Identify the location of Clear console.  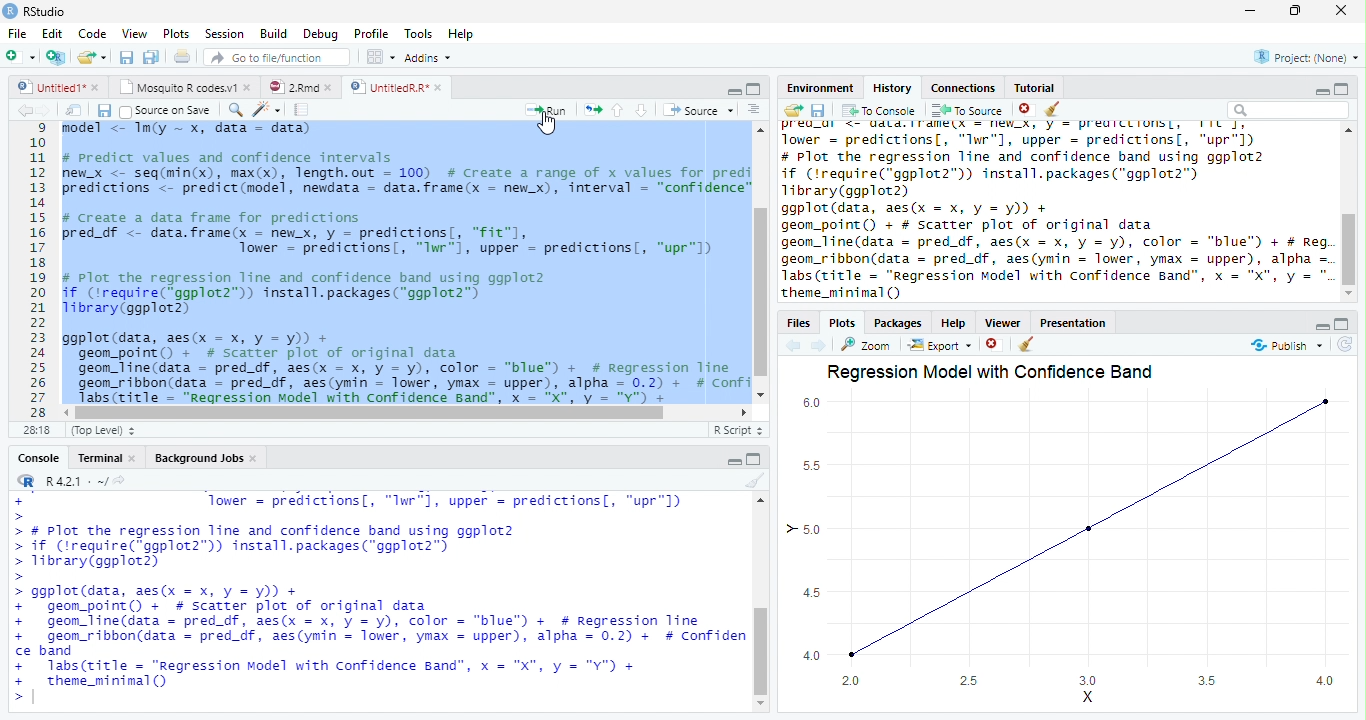
(756, 481).